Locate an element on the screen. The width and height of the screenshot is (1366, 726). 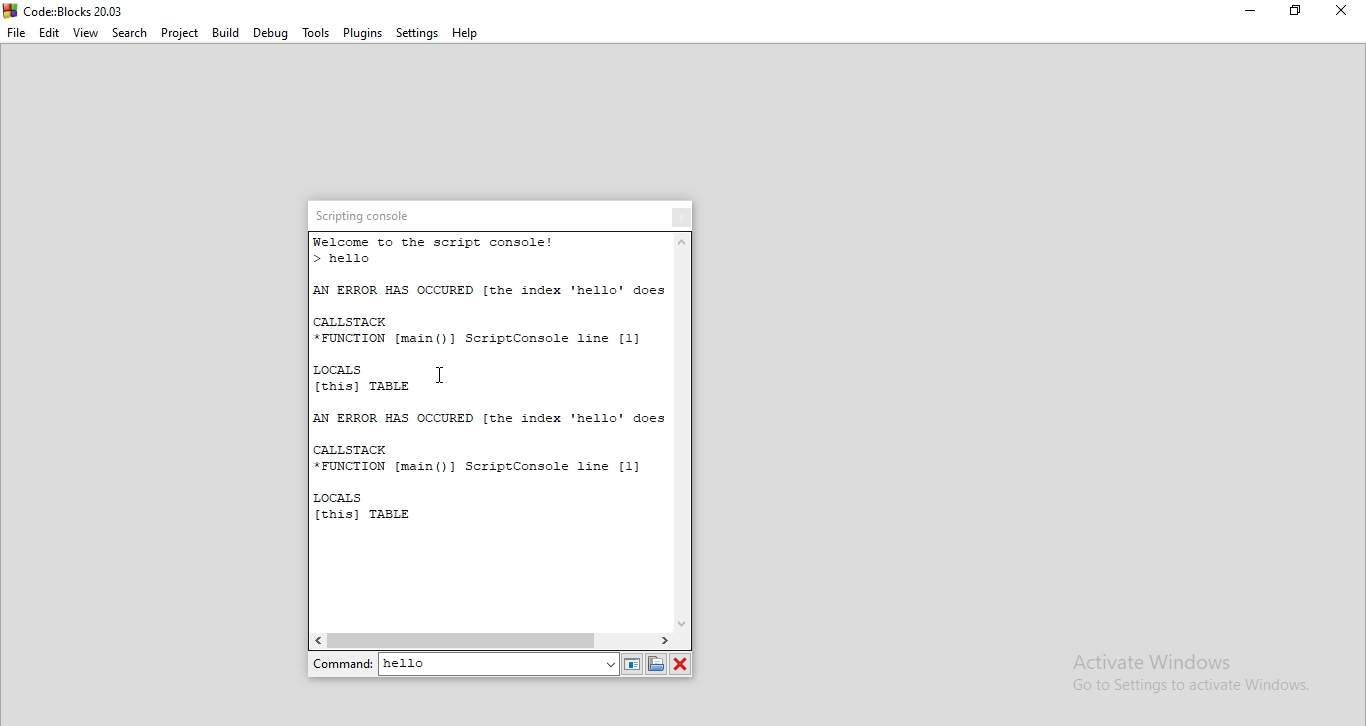
Build  is located at coordinates (227, 33).